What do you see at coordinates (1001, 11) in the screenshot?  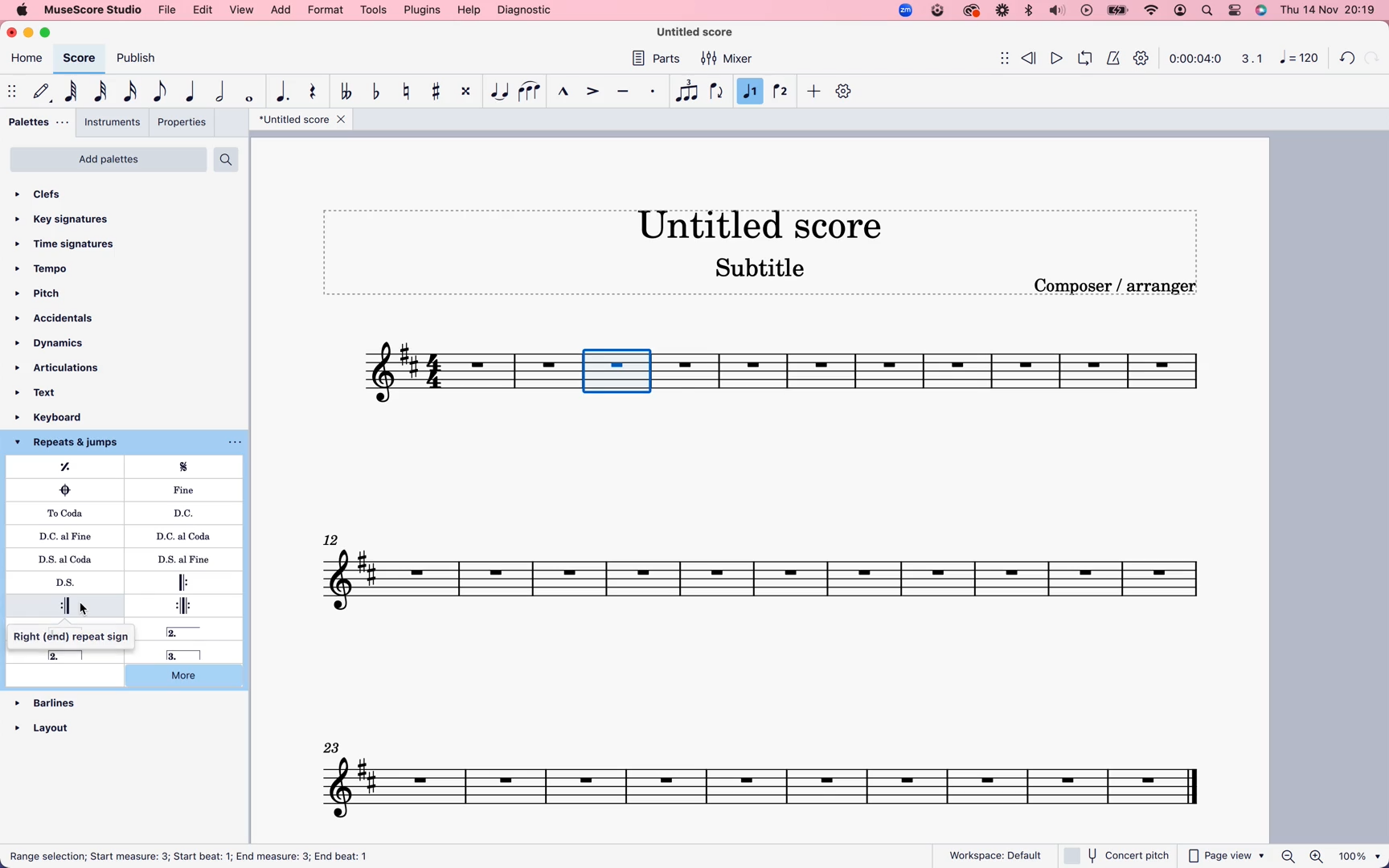 I see `loom` at bounding box center [1001, 11].